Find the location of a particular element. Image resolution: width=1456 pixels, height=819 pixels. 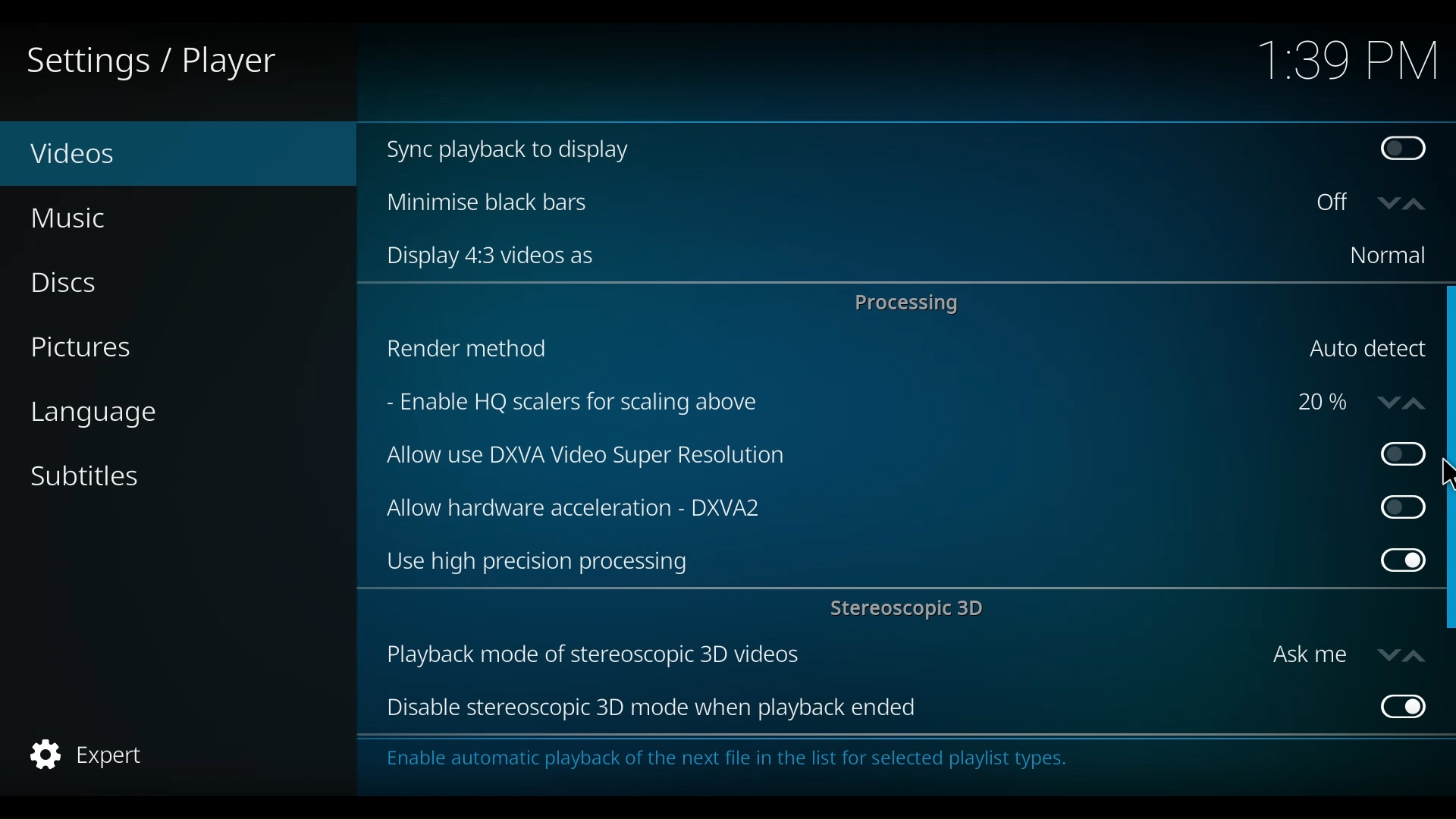

Subtitles is located at coordinates (86, 475).